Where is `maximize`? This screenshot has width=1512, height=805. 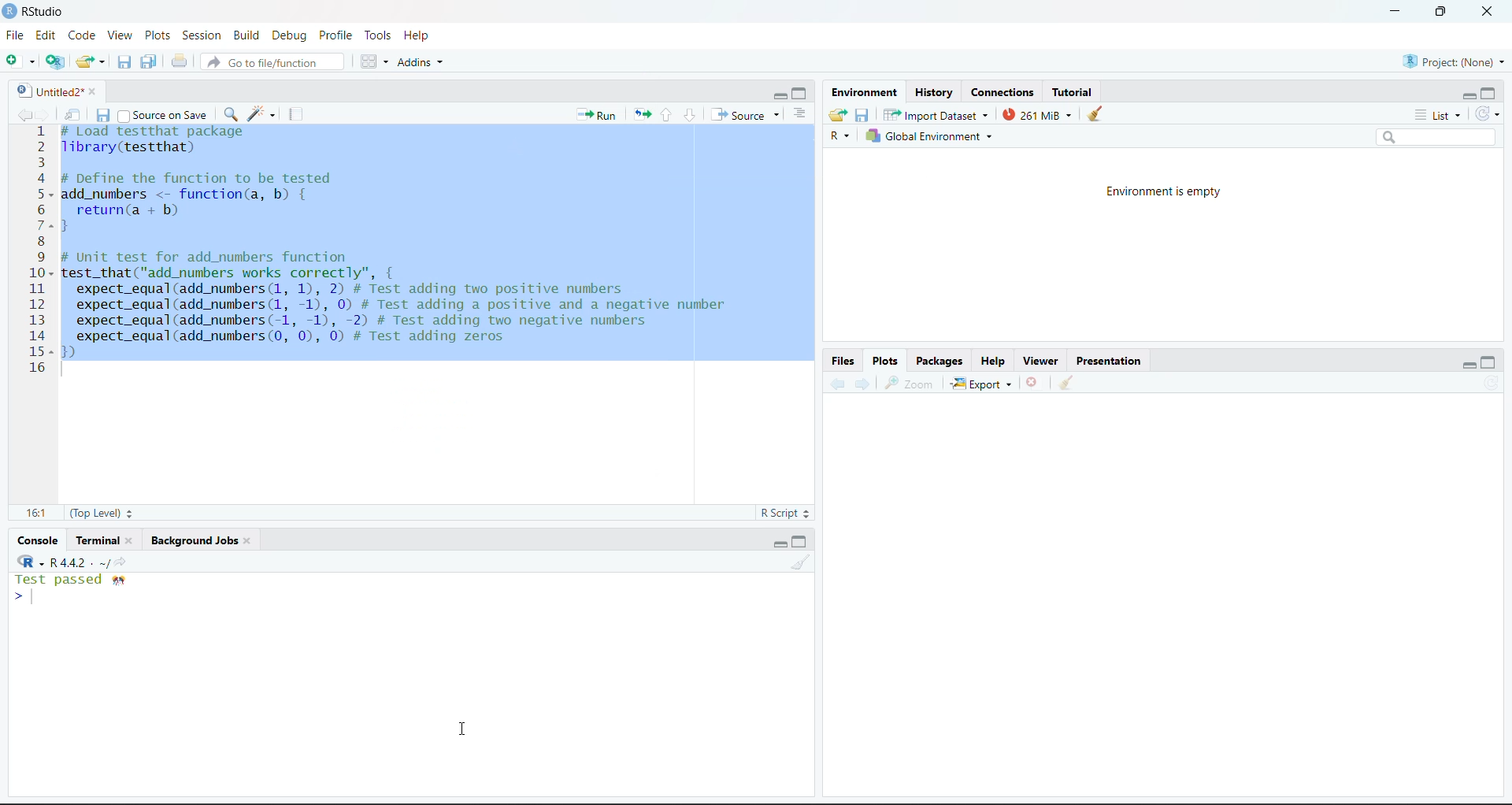 maximize is located at coordinates (800, 93).